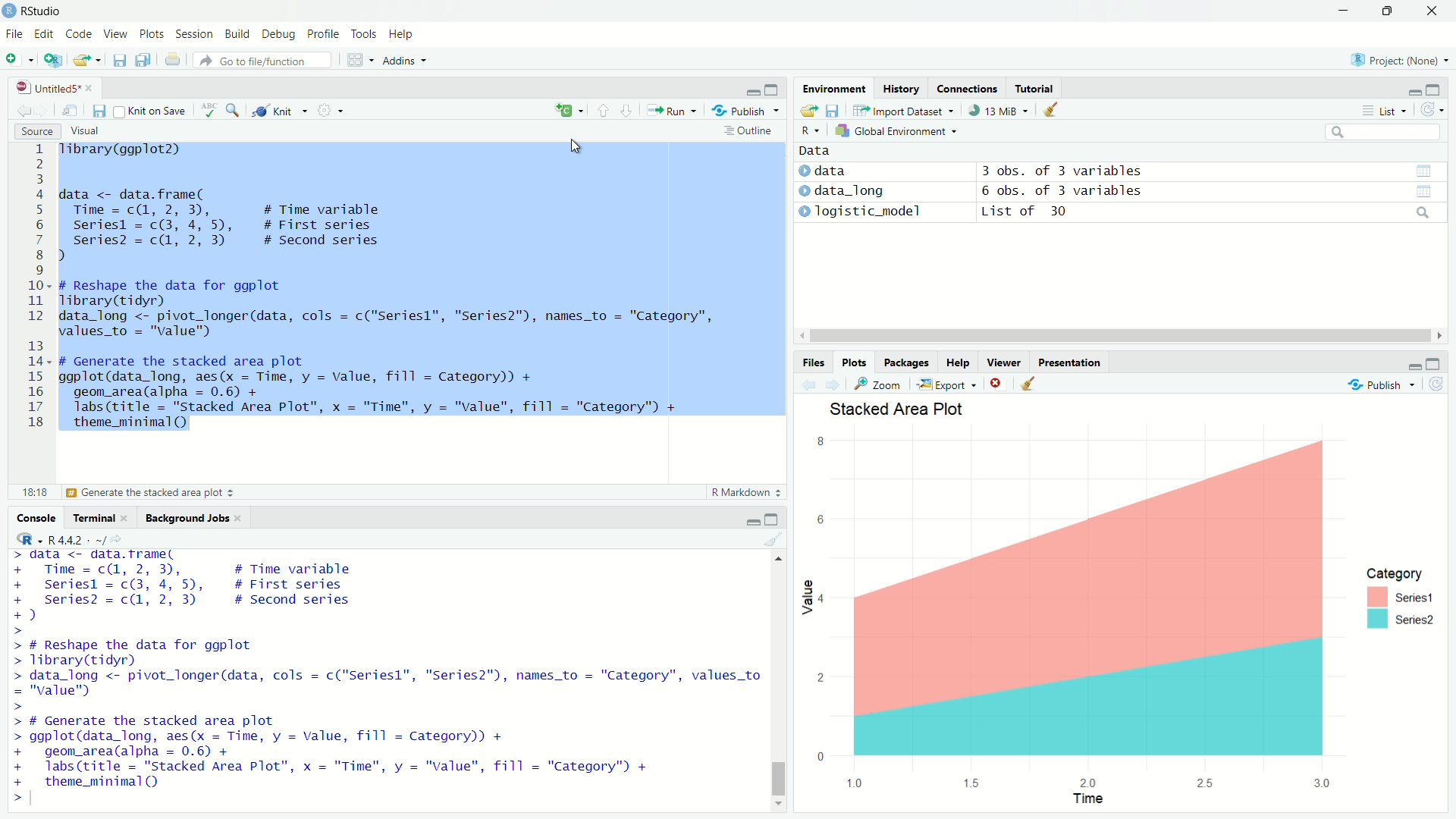  Describe the element at coordinates (833, 88) in the screenshot. I see `Environment` at that location.